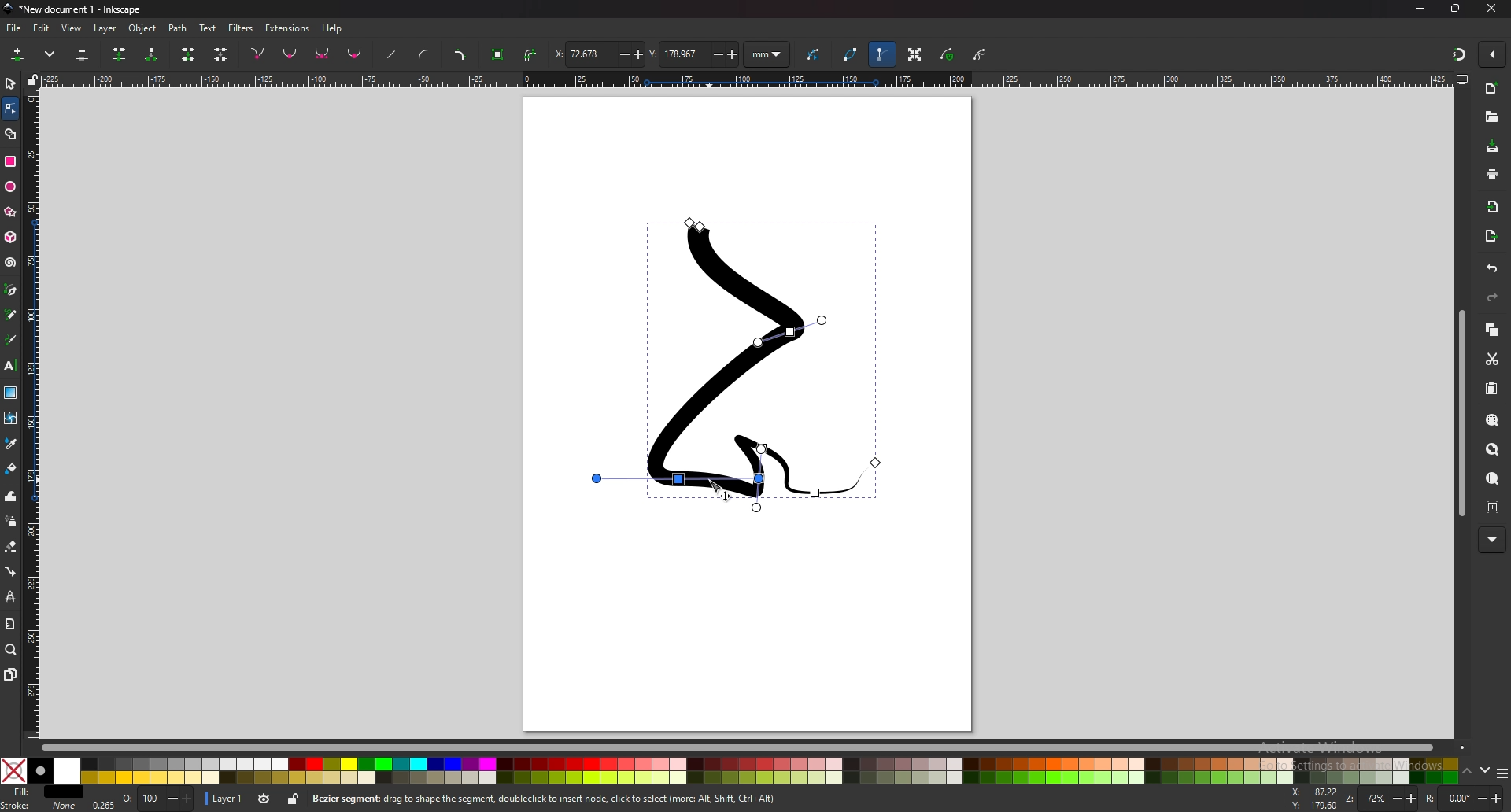 The width and height of the screenshot is (1511, 812). I want to click on text, so click(11, 366).